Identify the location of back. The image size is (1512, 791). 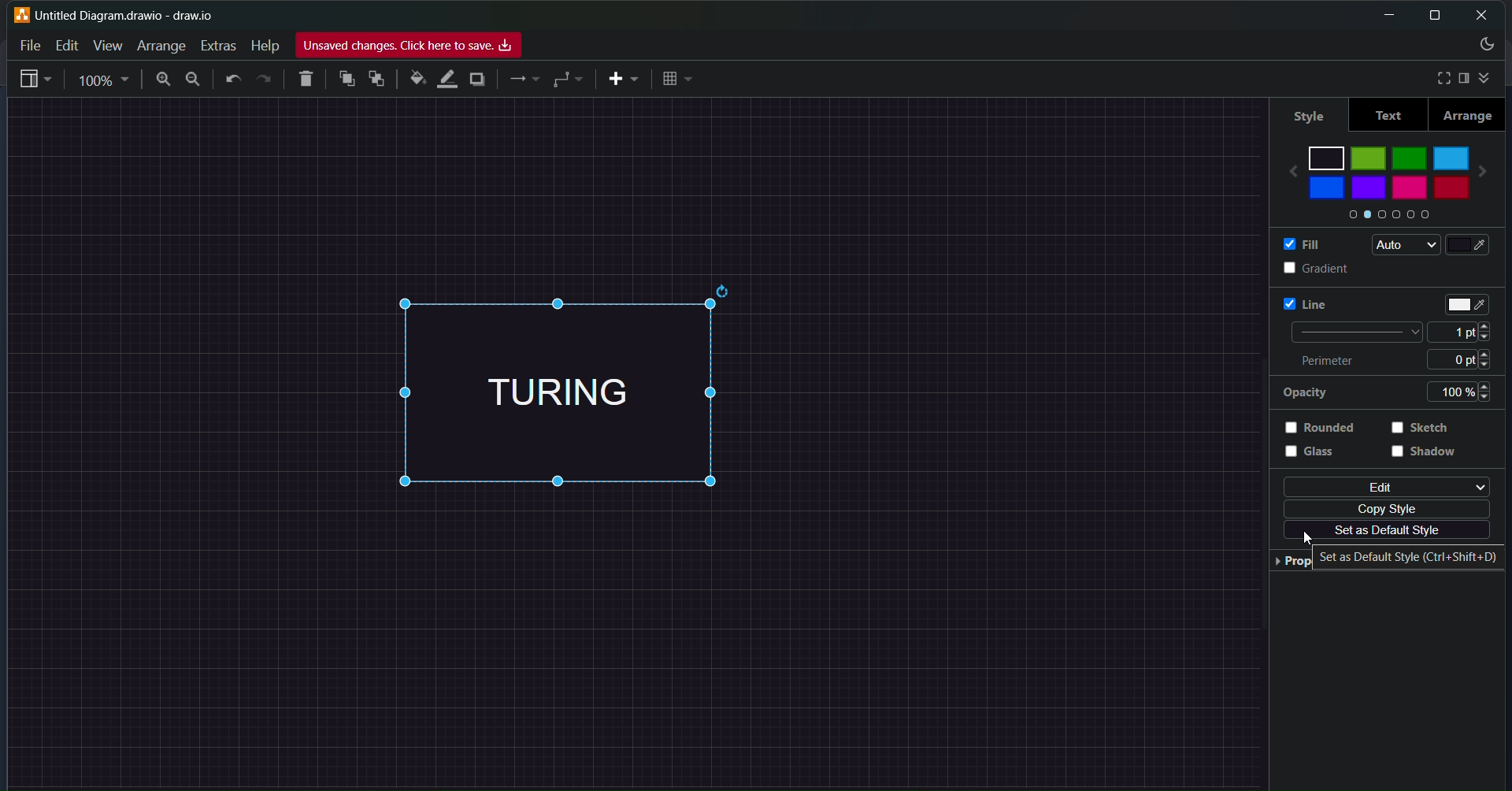
(1285, 166).